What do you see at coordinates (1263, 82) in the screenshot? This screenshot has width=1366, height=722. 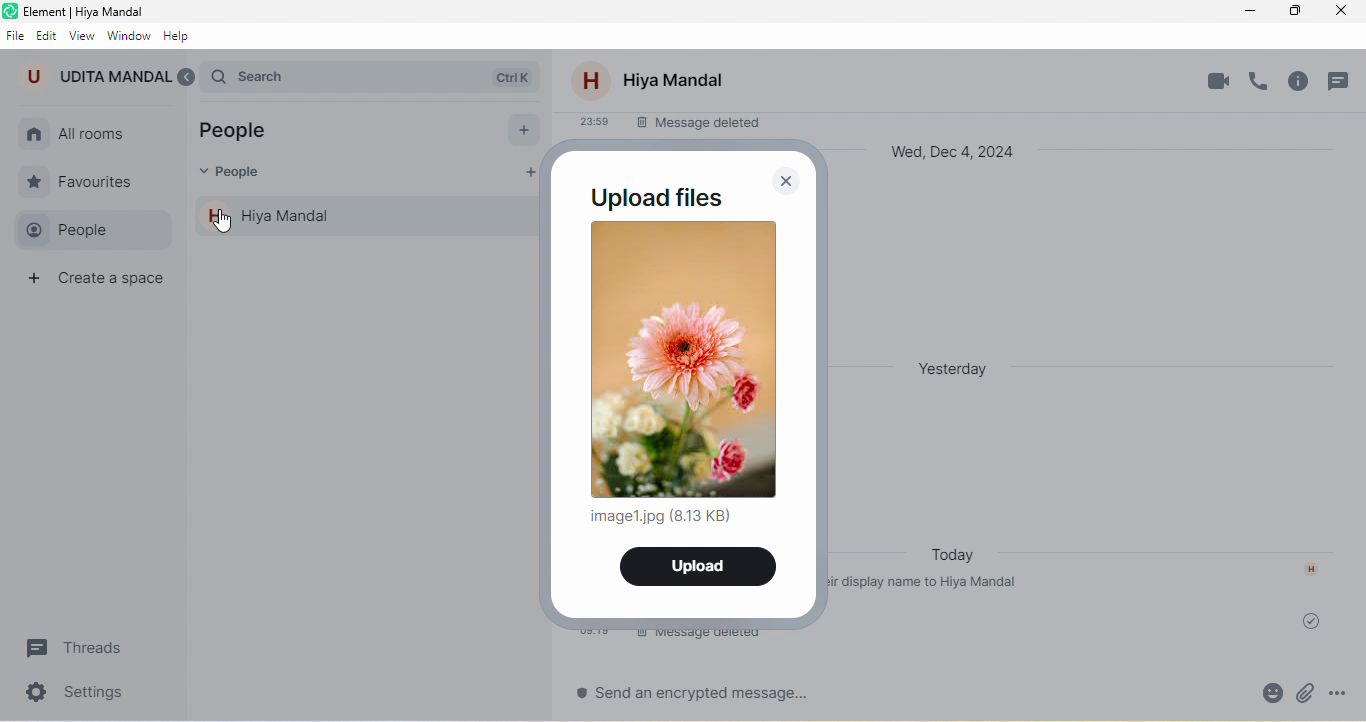 I see `voice call` at bounding box center [1263, 82].